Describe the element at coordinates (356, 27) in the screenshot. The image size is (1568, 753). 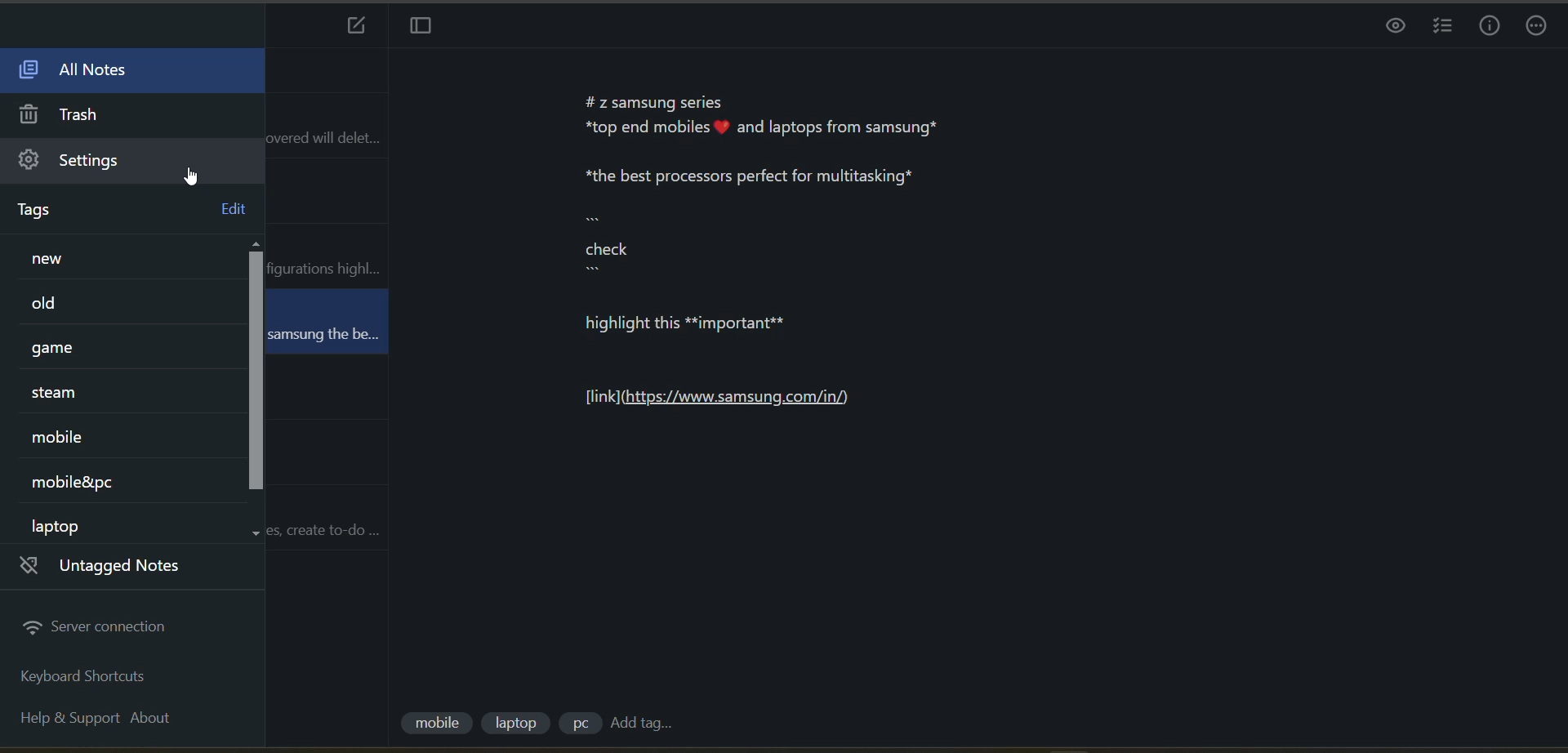
I see `new note` at that location.